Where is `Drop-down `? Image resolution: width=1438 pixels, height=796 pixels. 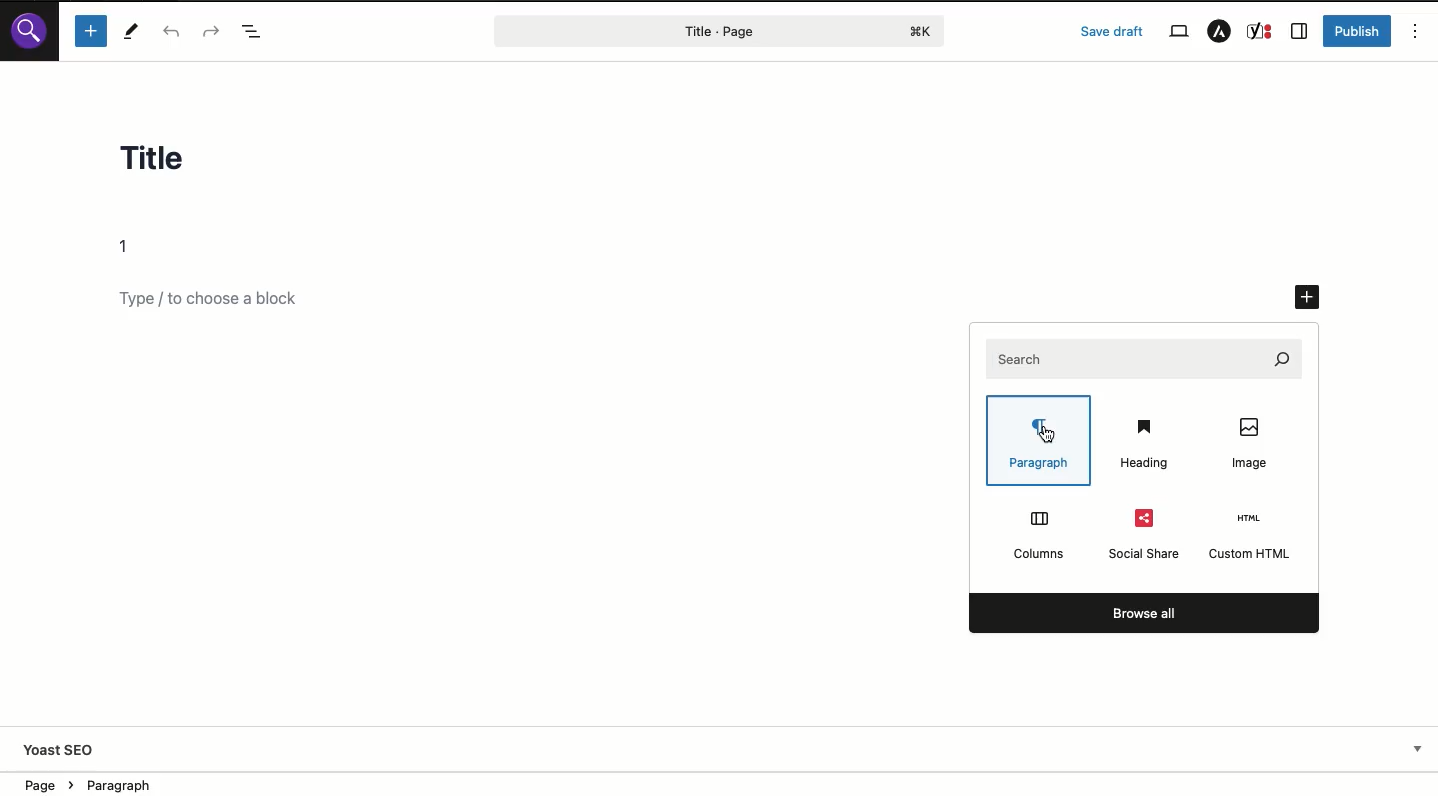
Drop-down  is located at coordinates (1418, 749).